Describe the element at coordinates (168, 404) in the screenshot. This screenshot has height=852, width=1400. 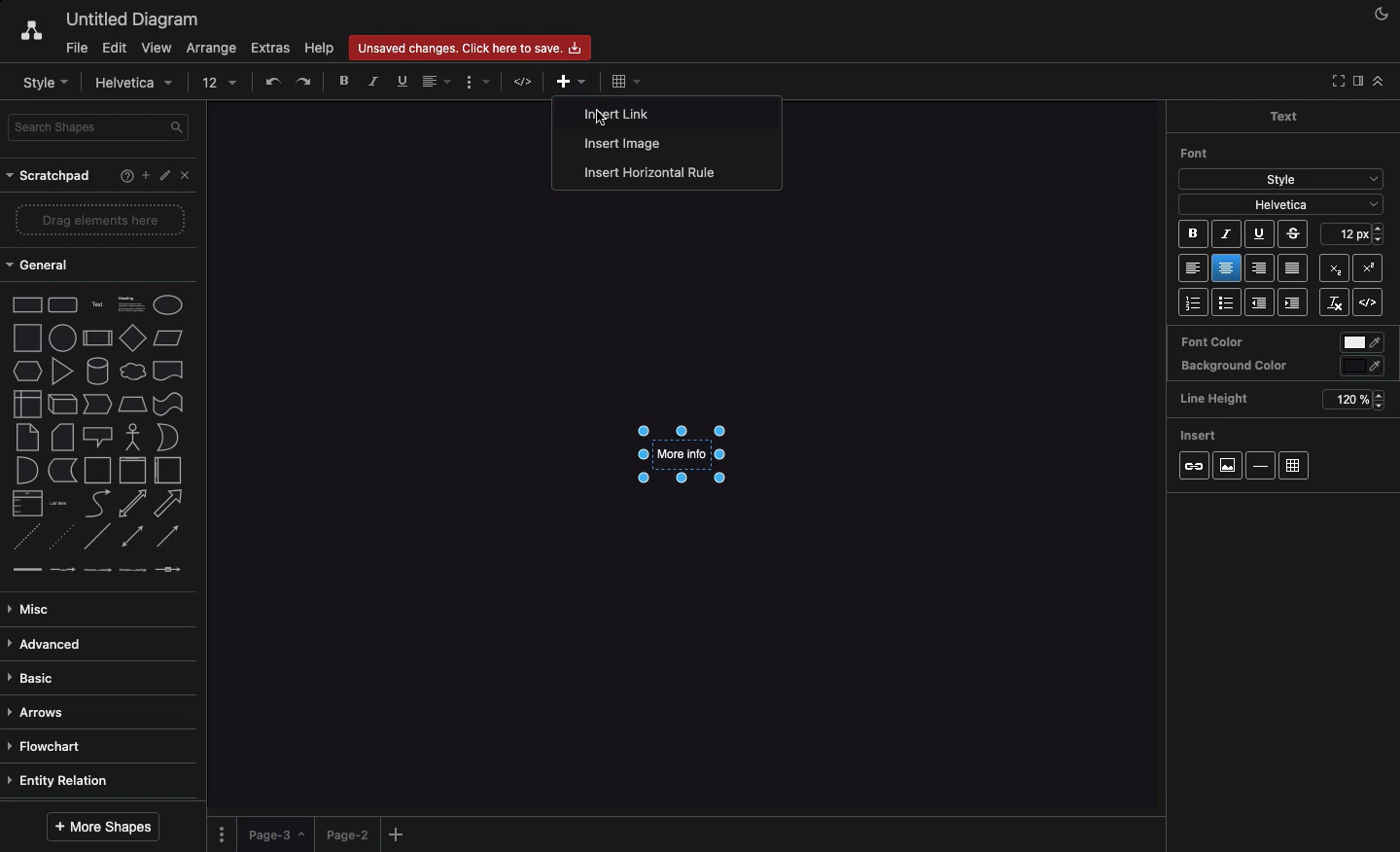
I see `tape` at that location.